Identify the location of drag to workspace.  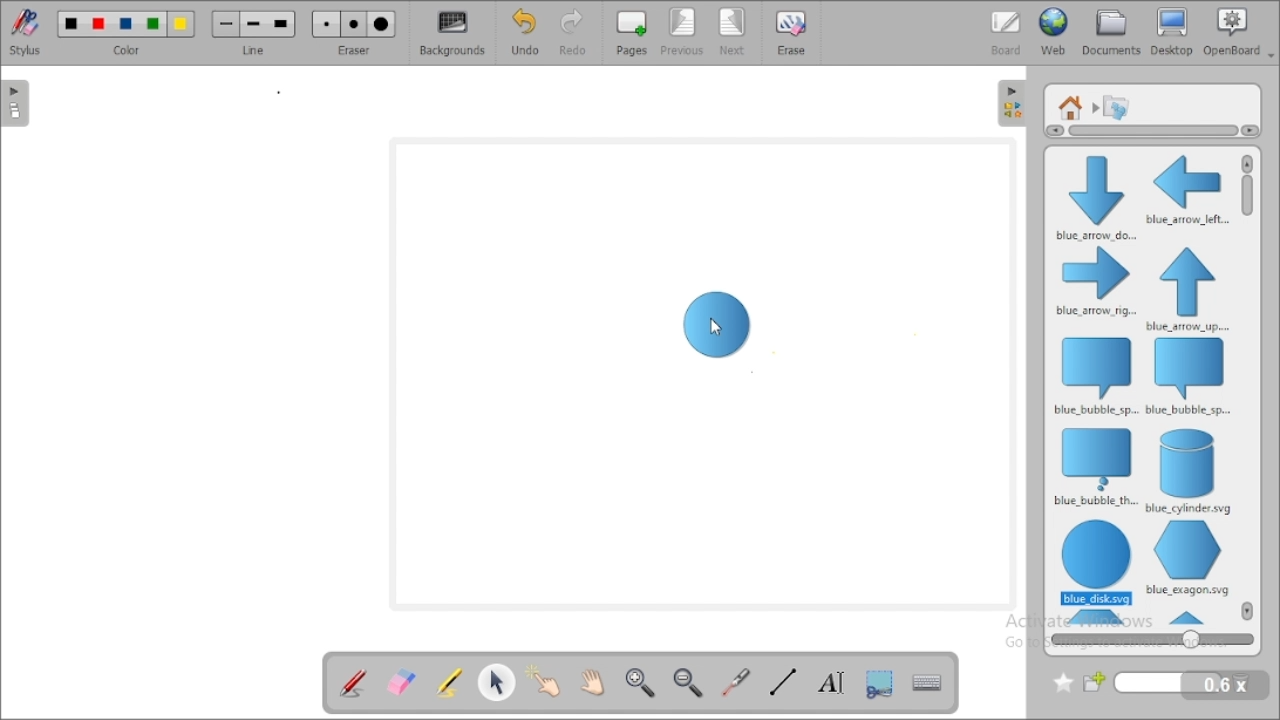
(717, 325).